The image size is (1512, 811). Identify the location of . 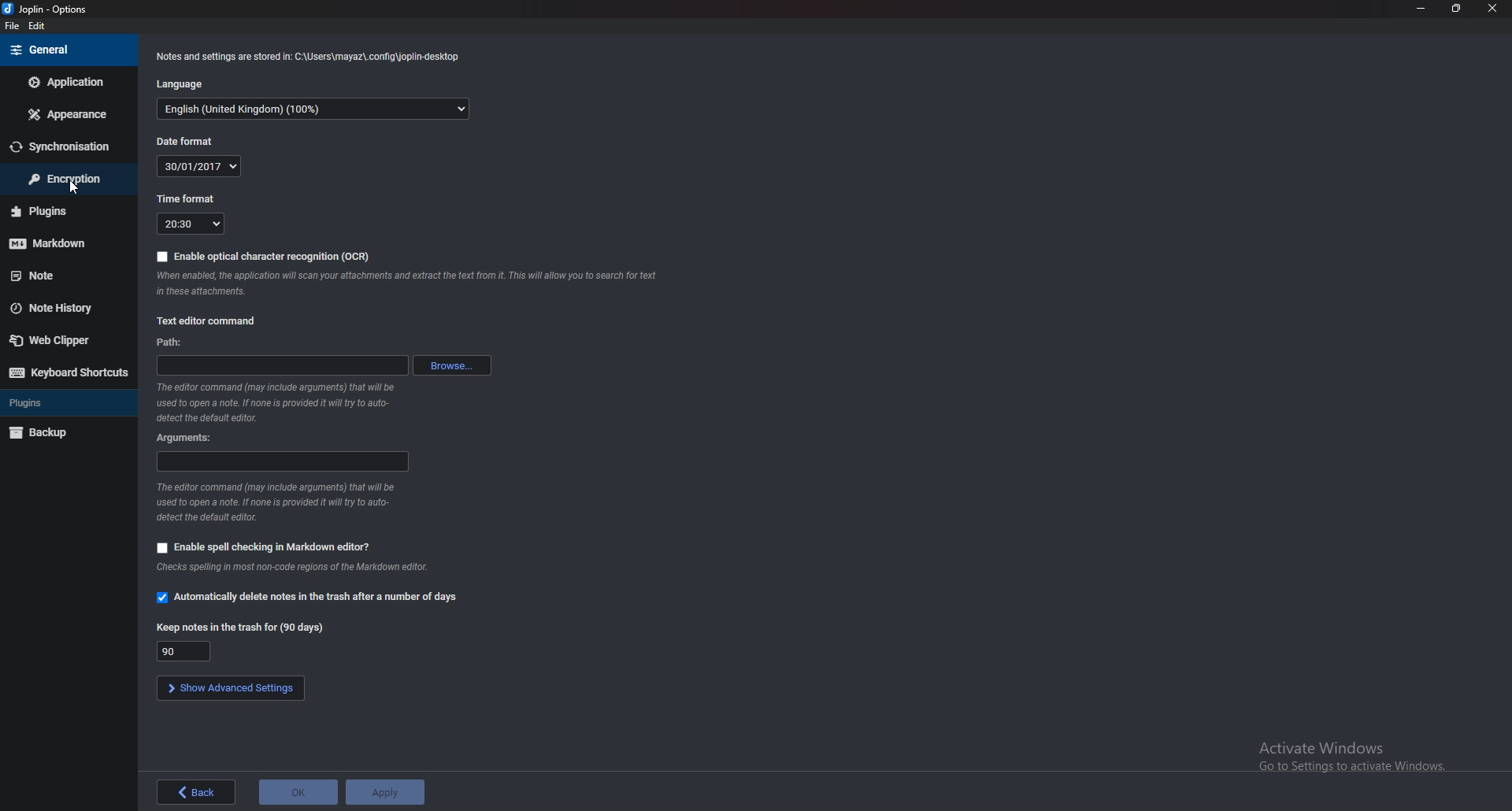
(407, 286).